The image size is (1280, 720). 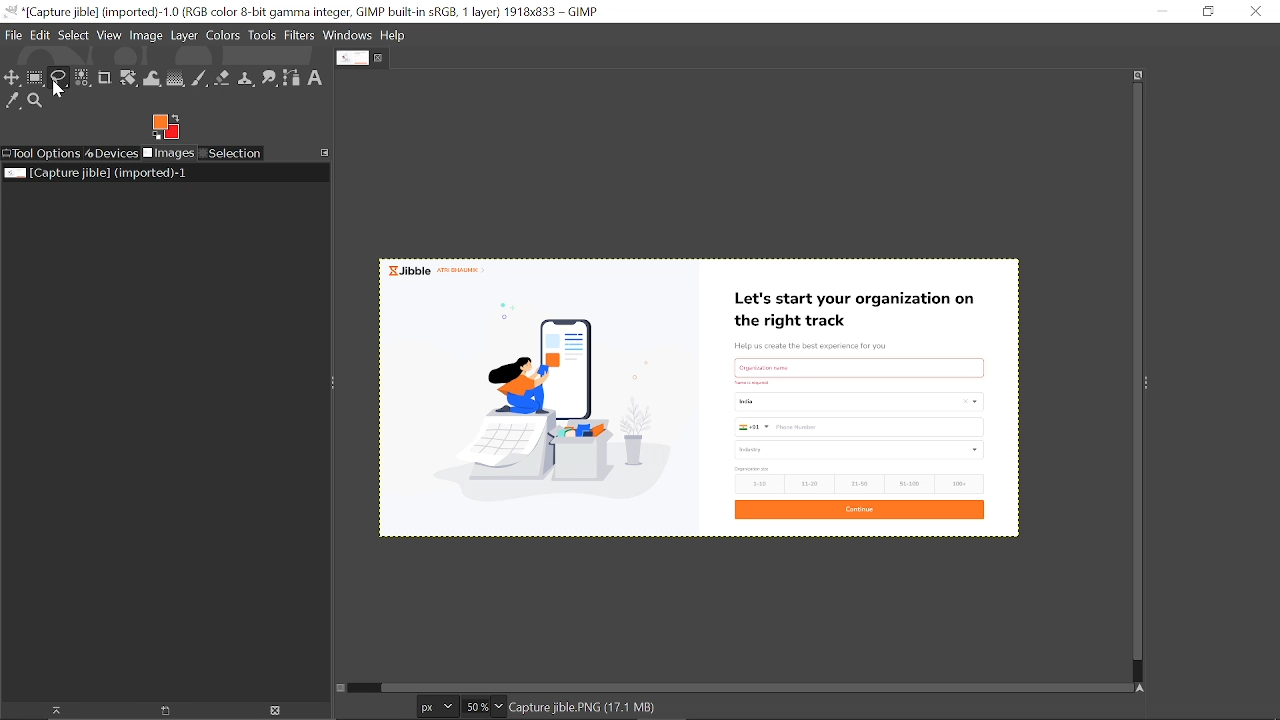 What do you see at coordinates (339, 688) in the screenshot?
I see `Toggle quick mask on/off` at bounding box center [339, 688].